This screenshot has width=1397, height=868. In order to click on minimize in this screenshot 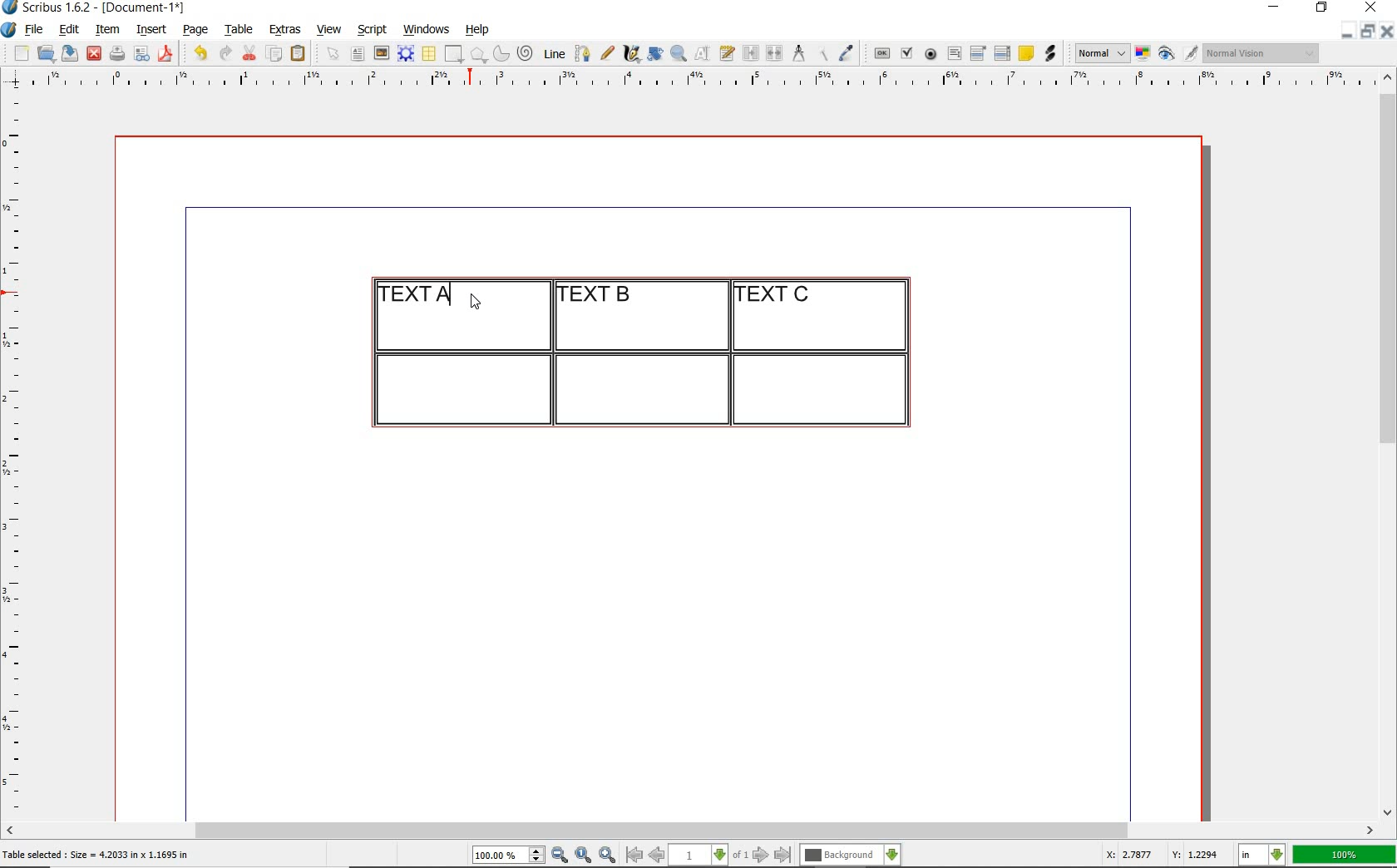, I will do `click(1348, 30)`.